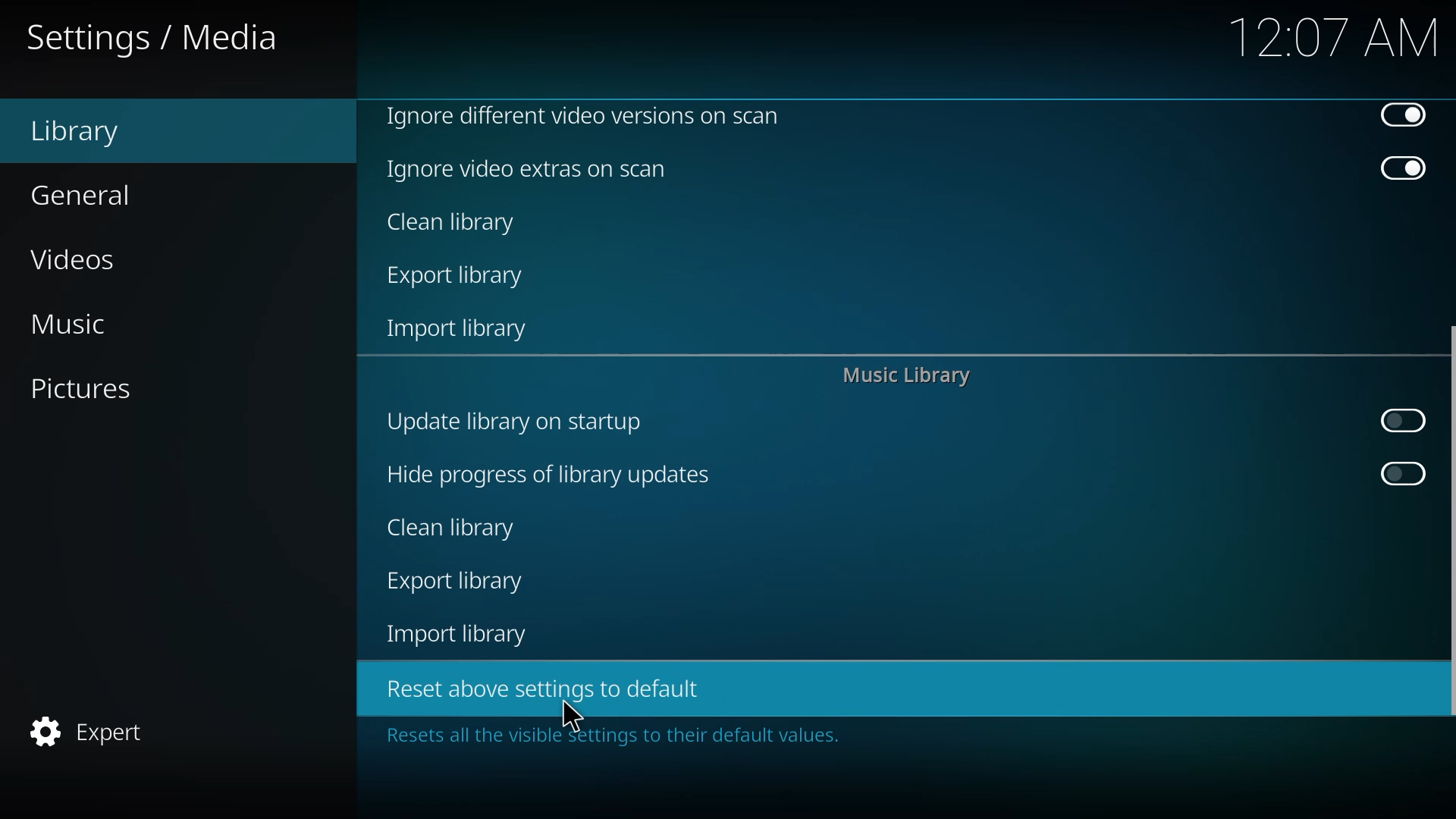  What do you see at coordinates (1461, 522) in the screenshot?
I see `Scroll Bar` at bounding box center [1461, 522].